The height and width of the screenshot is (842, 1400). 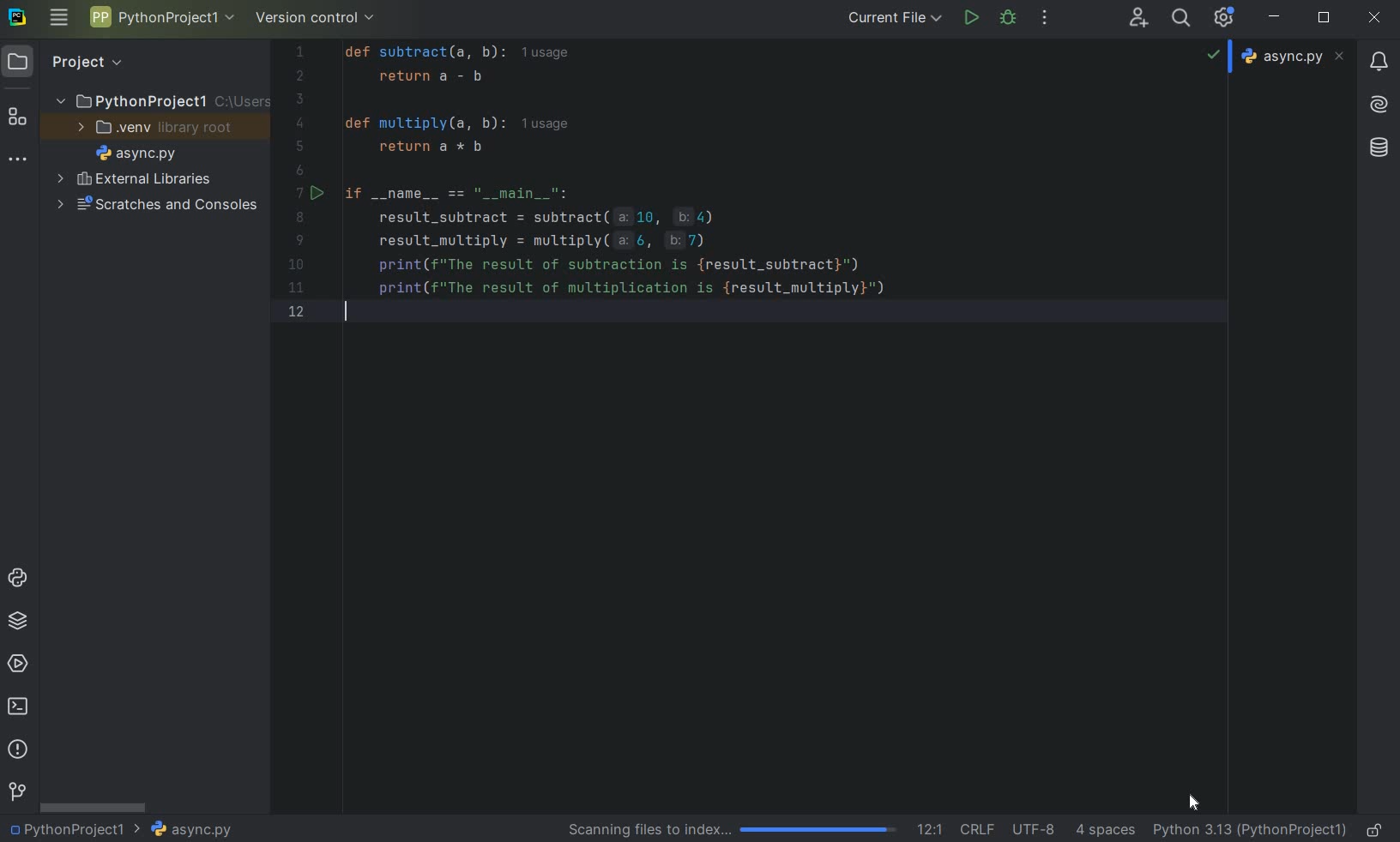 What do you see at coordinates (304, 185) in the screenshot?
I see `line number` at bounding box center [304, 185].